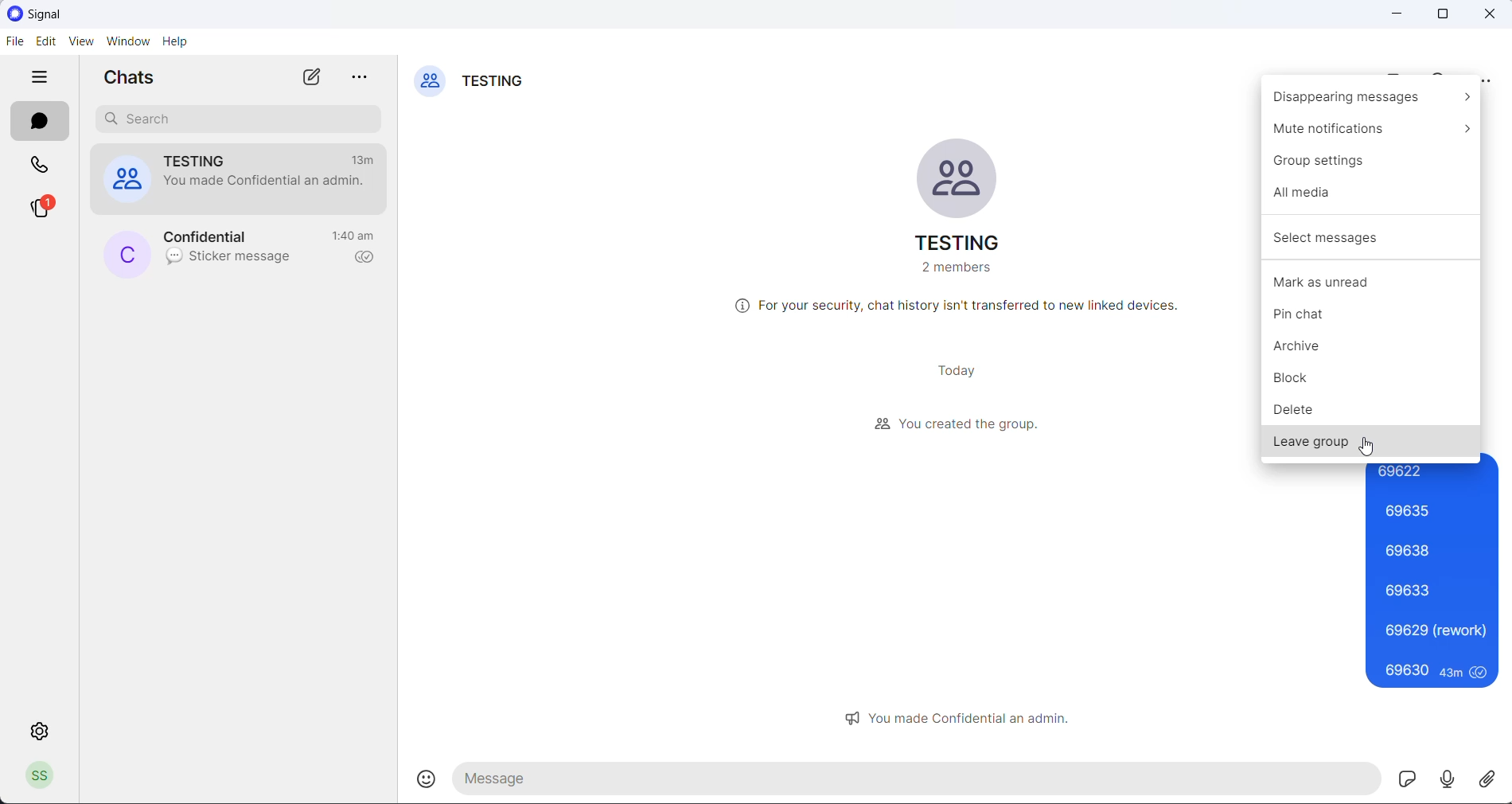 This screenshot has height=804, width=1512. Describe the element at coordinates (955, 271) in the screenshot. I see `total group members` at that location.